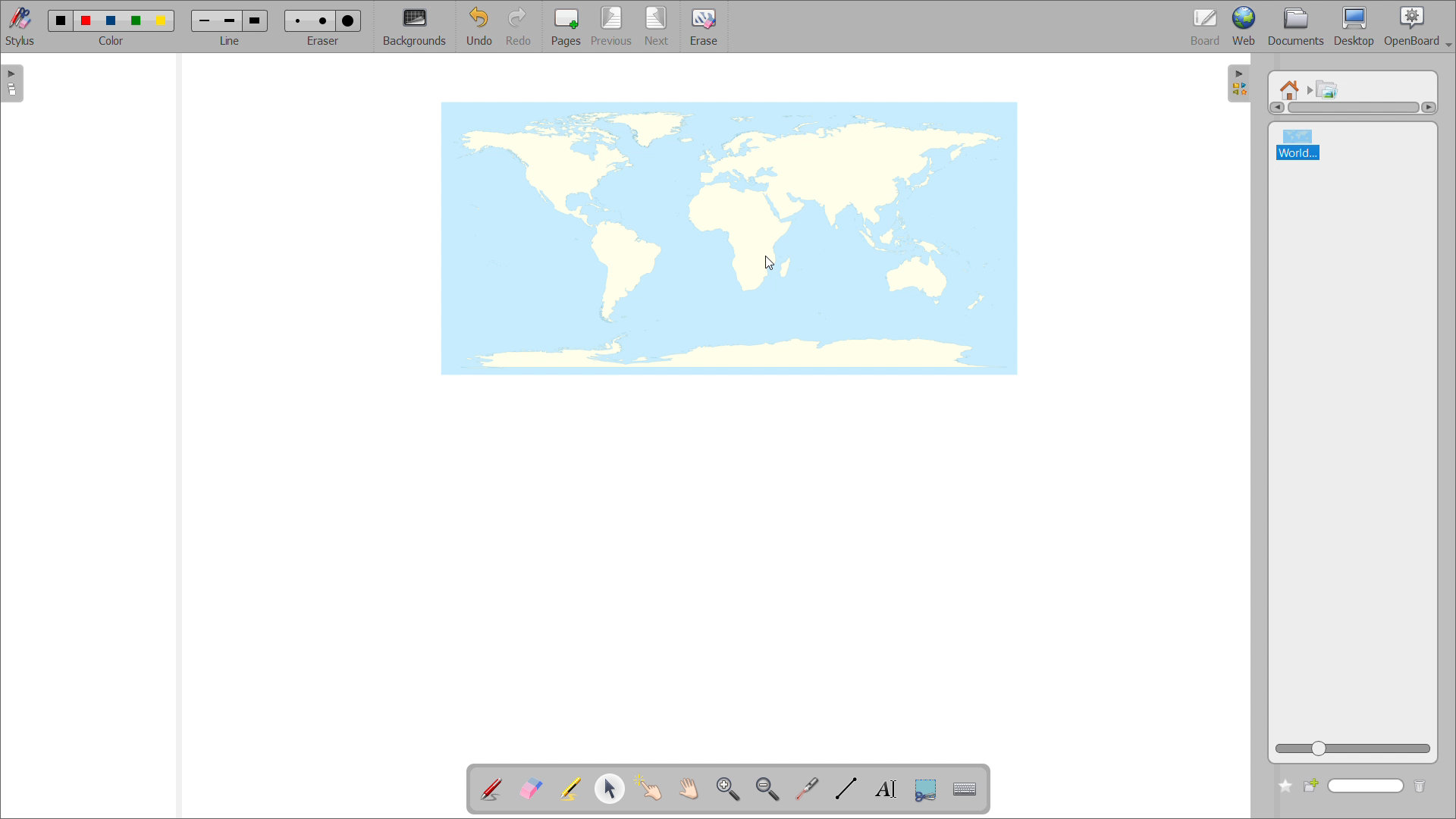  What do you see at coordinates (492, 789) in the screenshot?
I see `add annotation` at bounding box center [492, 789].